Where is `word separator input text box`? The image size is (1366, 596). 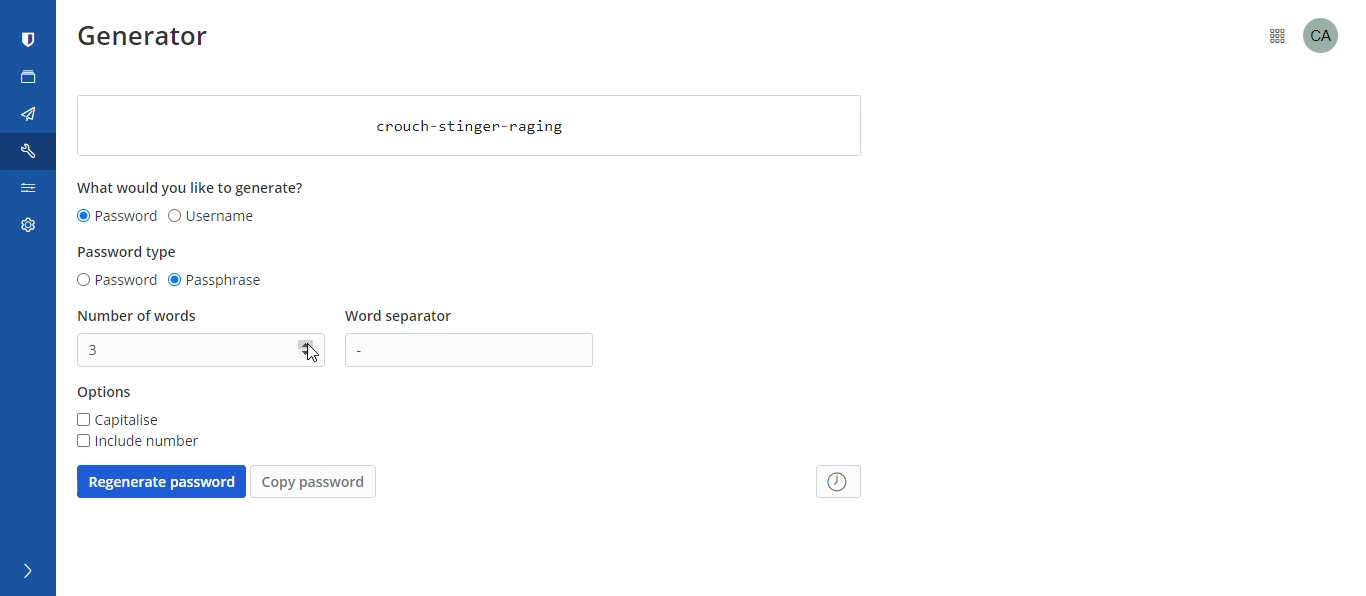 word separator input text box is located at coordinates (475, 350).